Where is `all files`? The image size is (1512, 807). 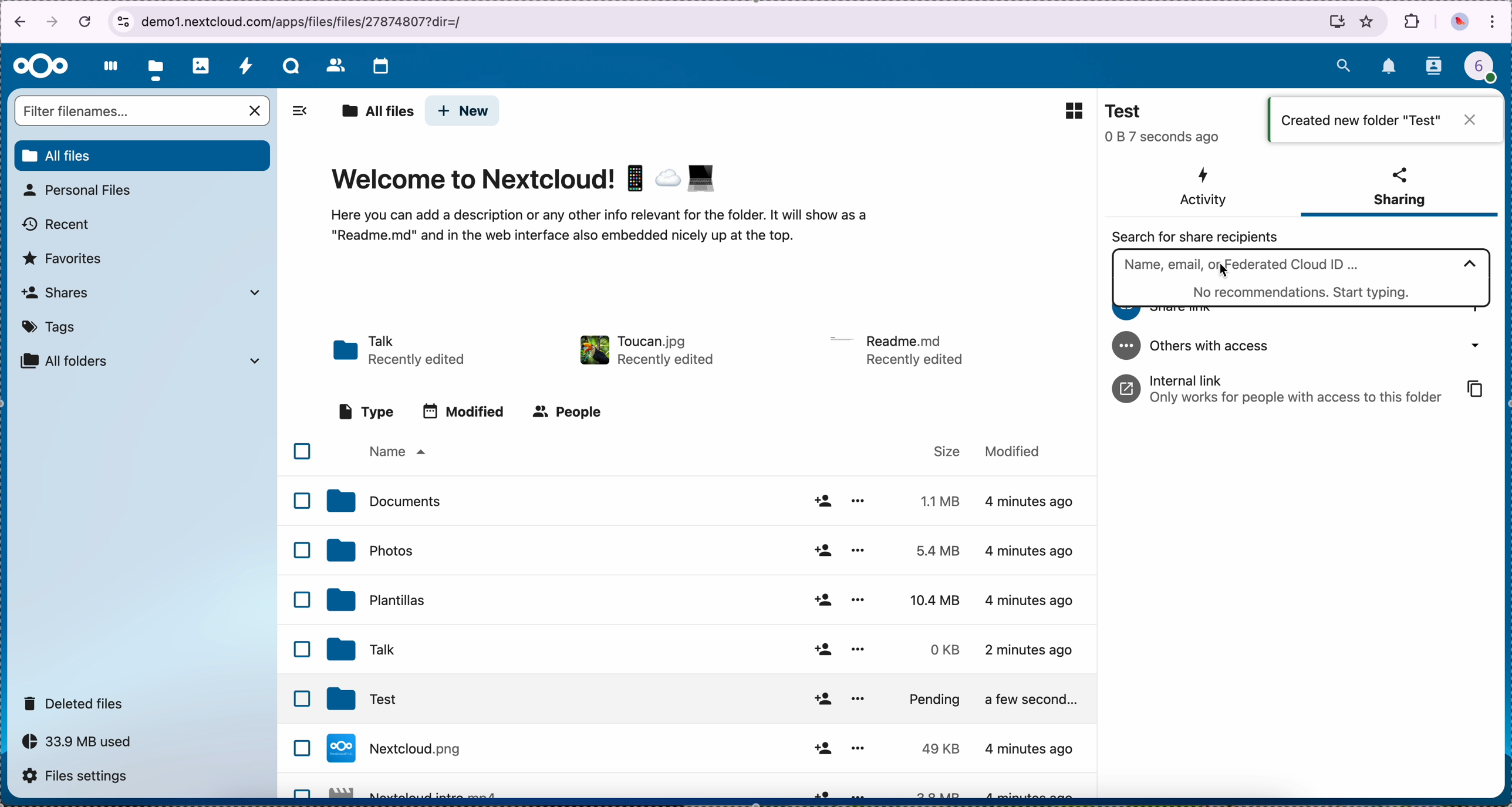 all files is located at coordinates (377, 112).